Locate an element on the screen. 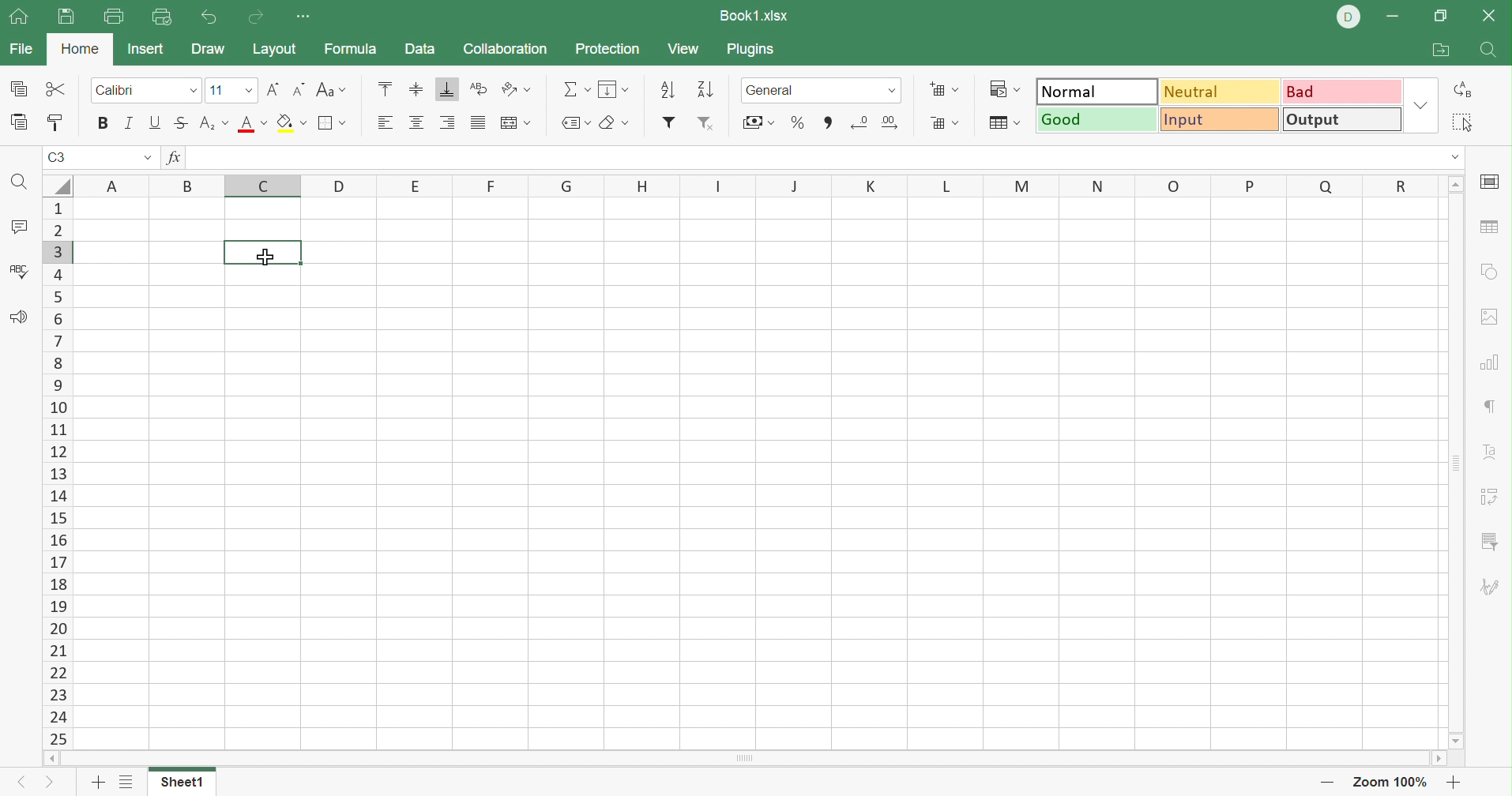 This screenshot has width=1512, height=796. Scroll right is located at coordinates (1439, 758).